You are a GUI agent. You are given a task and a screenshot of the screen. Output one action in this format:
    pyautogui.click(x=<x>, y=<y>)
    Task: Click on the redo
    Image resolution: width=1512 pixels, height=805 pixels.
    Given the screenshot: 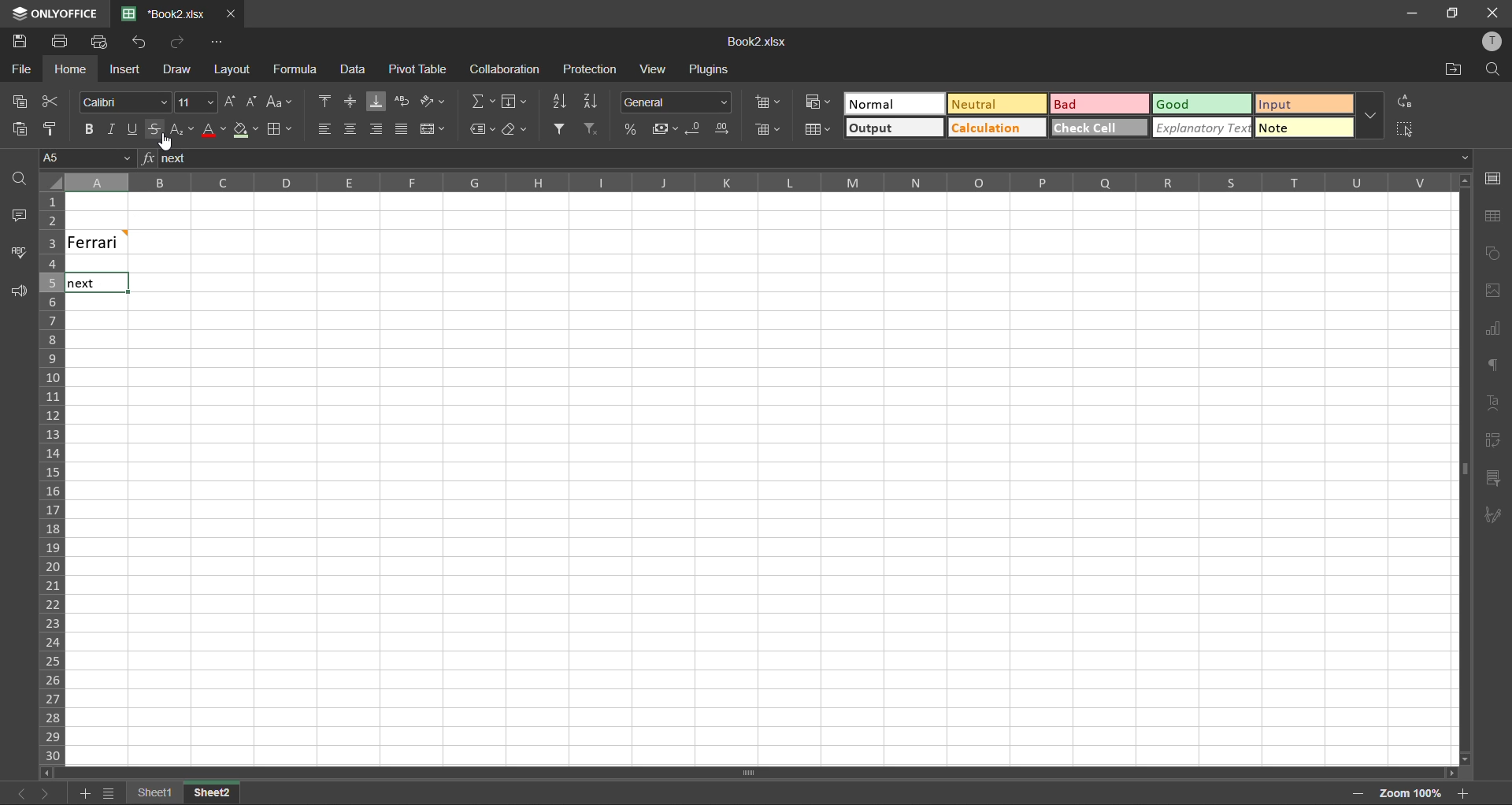 What is the action you would take?
    pyautogui.click(x=180, y=41)
    